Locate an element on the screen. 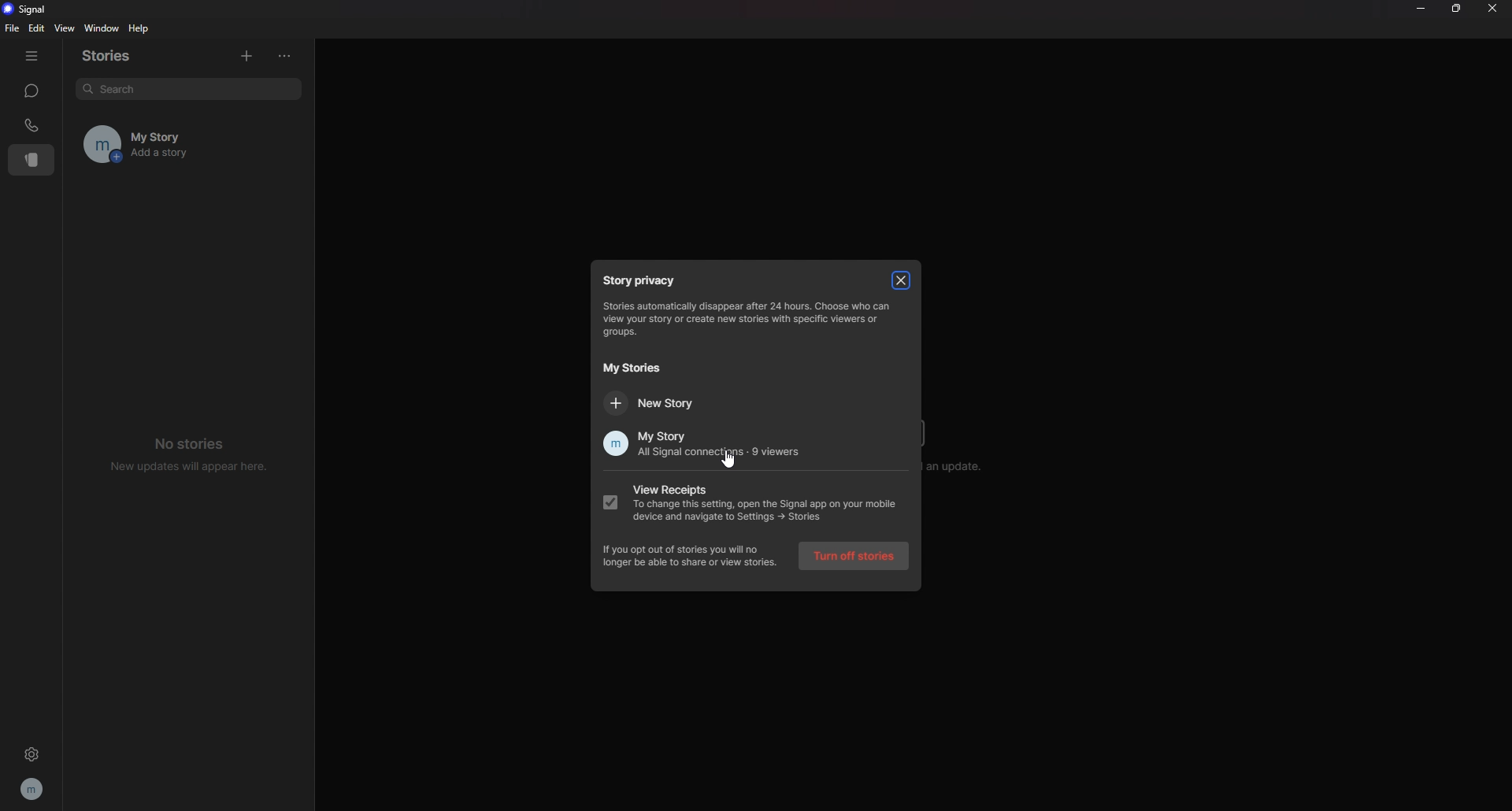 The image size is (1512, 811). my stories is located at coordinates (632, 368).